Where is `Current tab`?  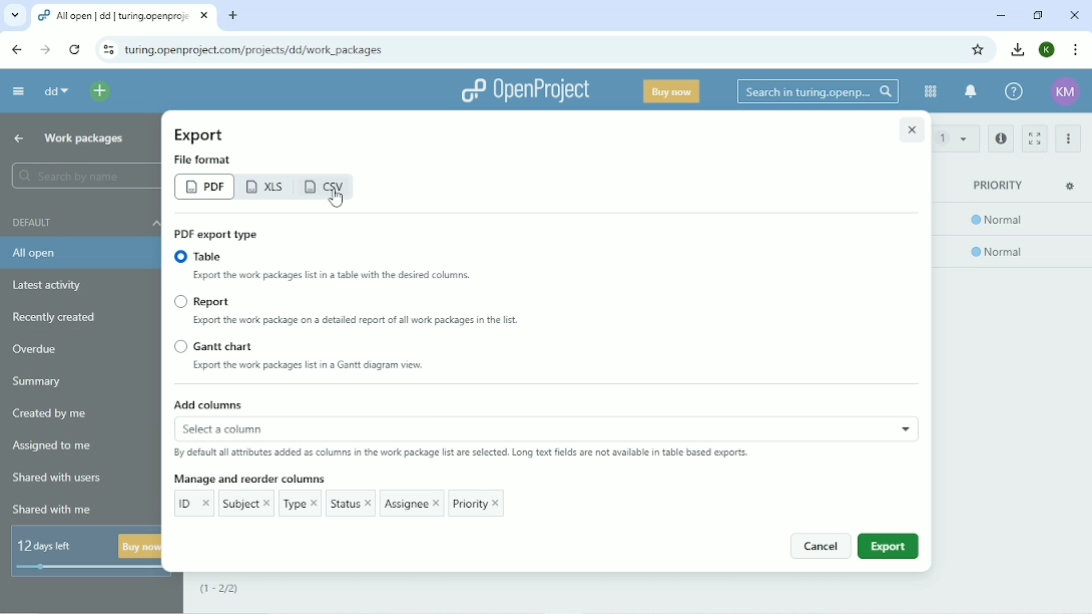
Current tab is located at coordinates (126, 16).